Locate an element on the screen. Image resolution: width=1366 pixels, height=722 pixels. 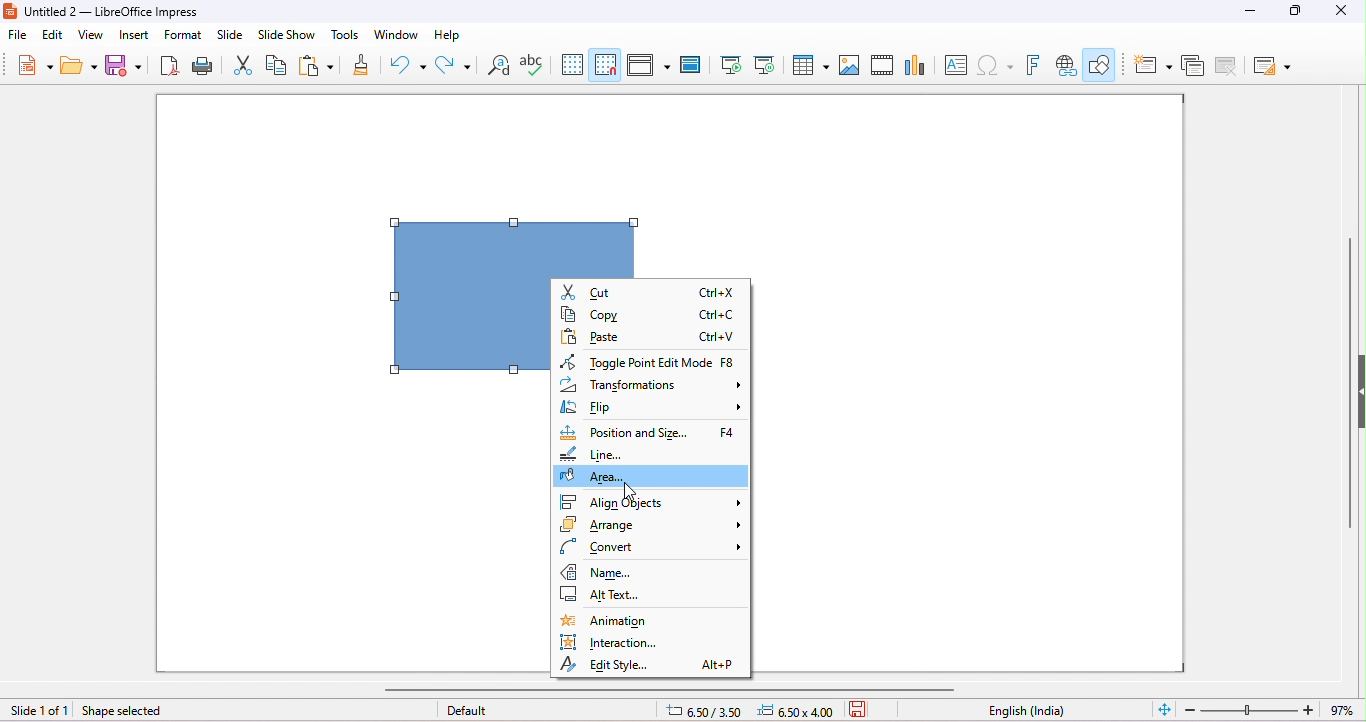
undo is located at coordinates (406, 65).